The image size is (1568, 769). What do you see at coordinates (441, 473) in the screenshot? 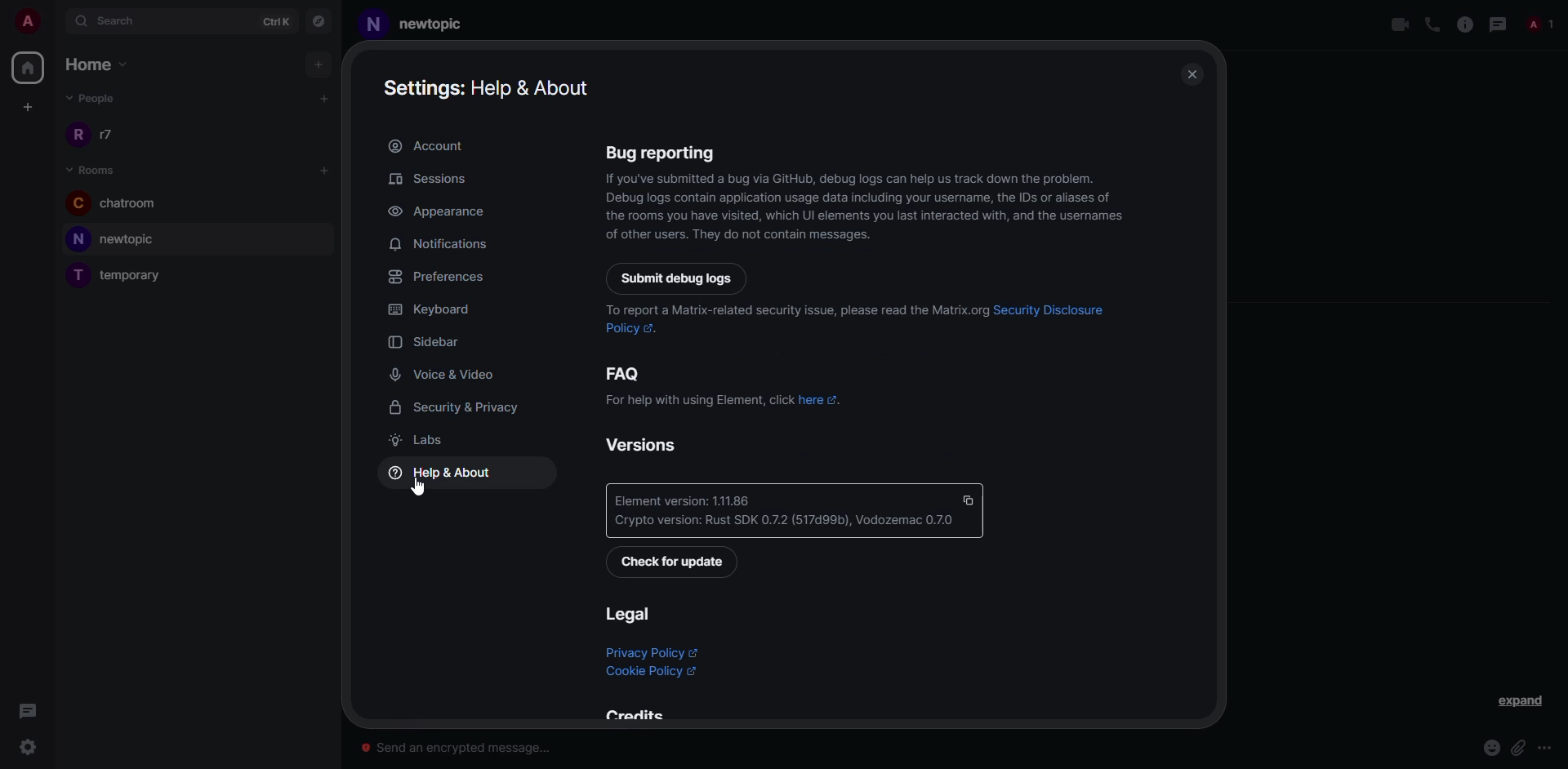
I see `help` at bounding box center [441, 473].